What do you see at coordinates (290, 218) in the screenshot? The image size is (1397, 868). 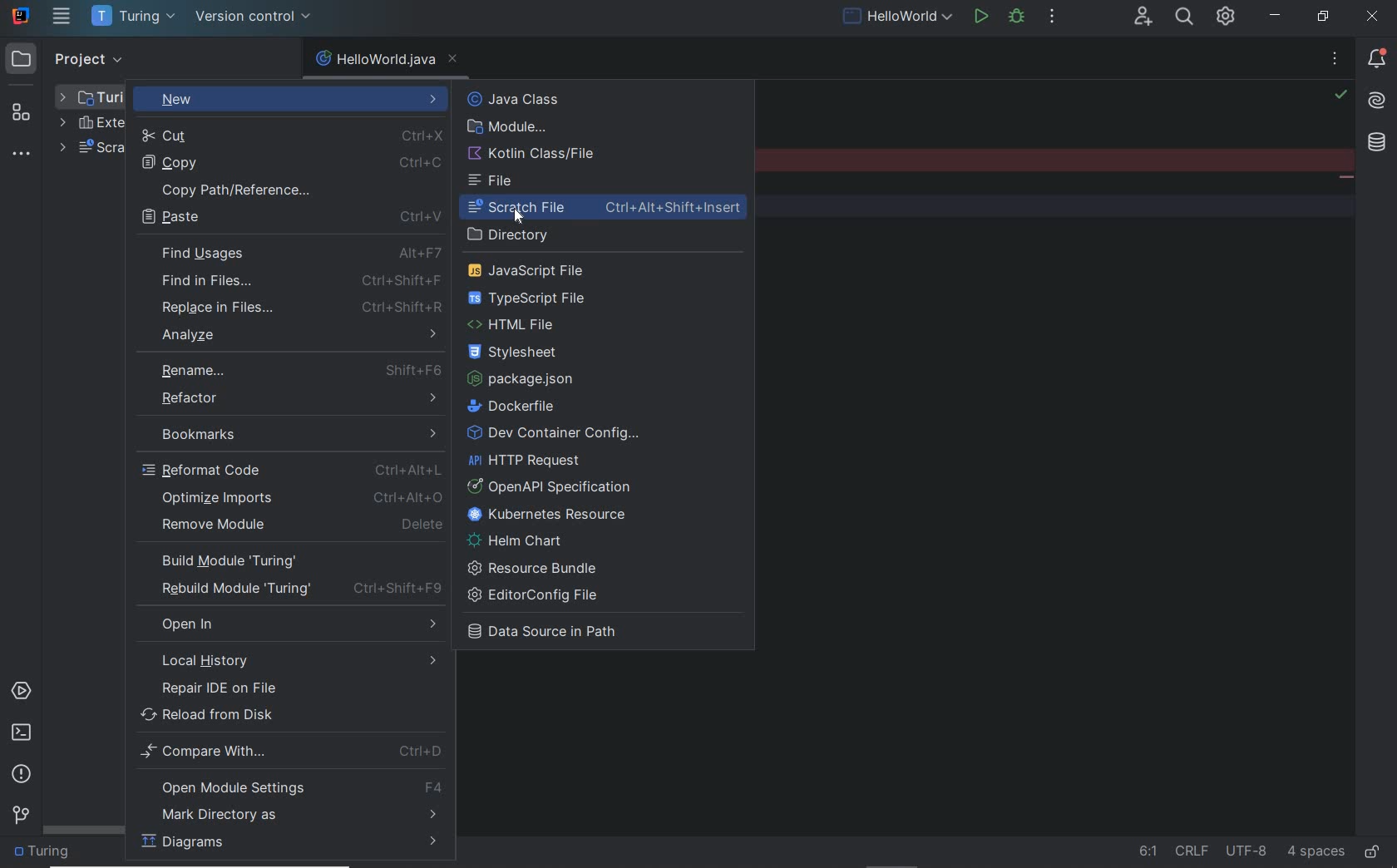 I see `paste` at bounding box center [290, 218].